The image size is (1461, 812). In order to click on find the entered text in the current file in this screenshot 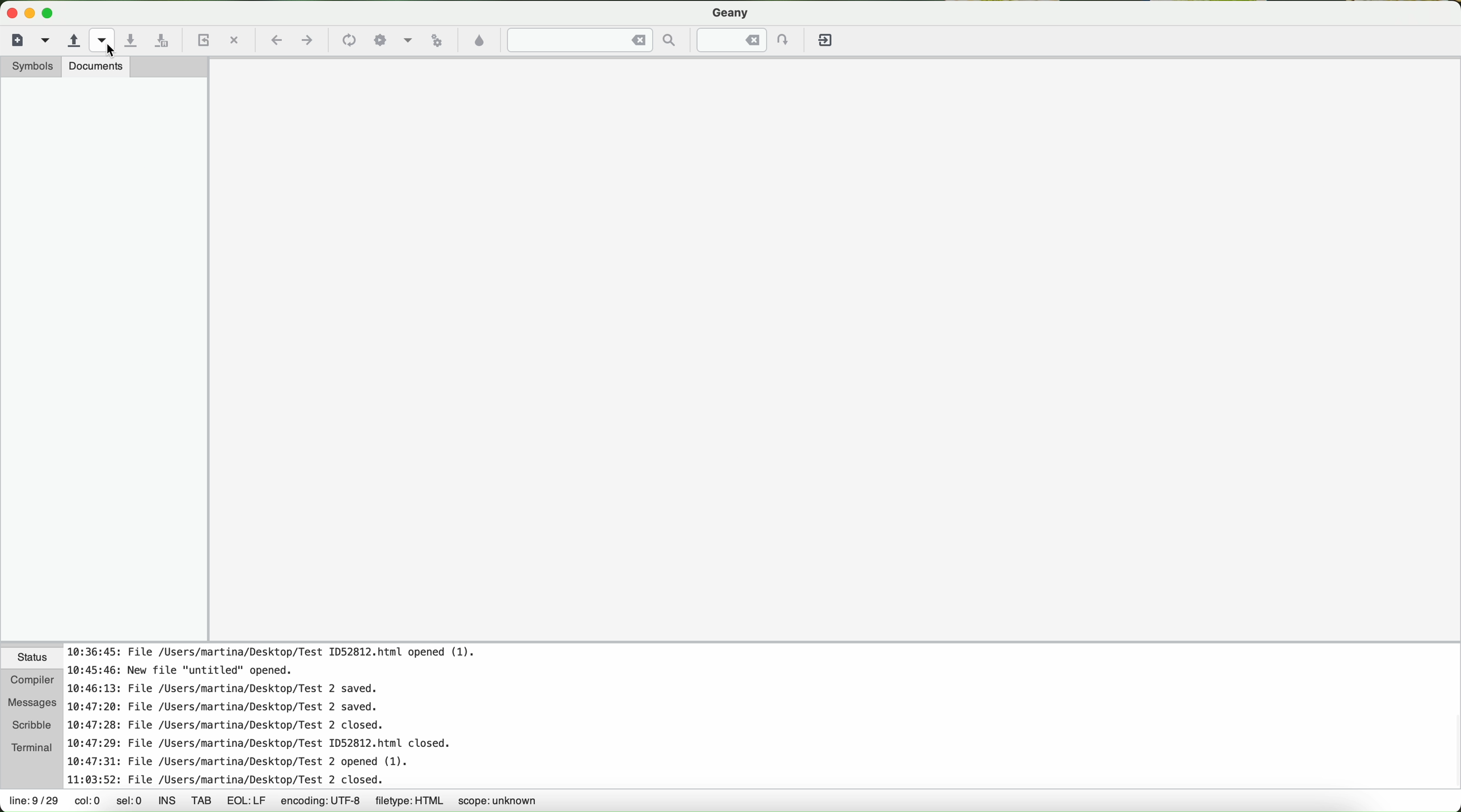, I will do `click(596, 40)`.